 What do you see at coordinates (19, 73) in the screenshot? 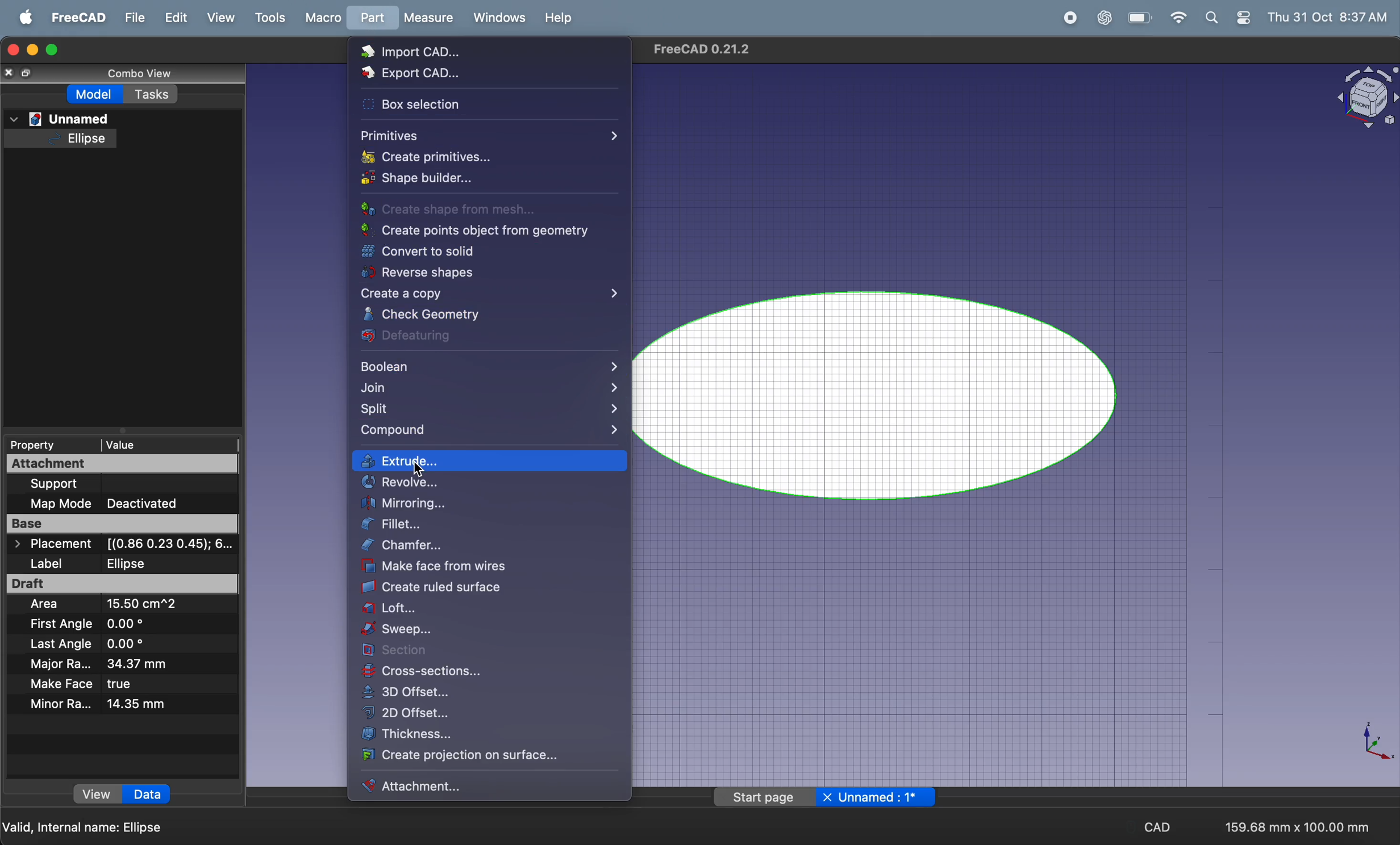
I see `close` at bounding box center [19, 73].